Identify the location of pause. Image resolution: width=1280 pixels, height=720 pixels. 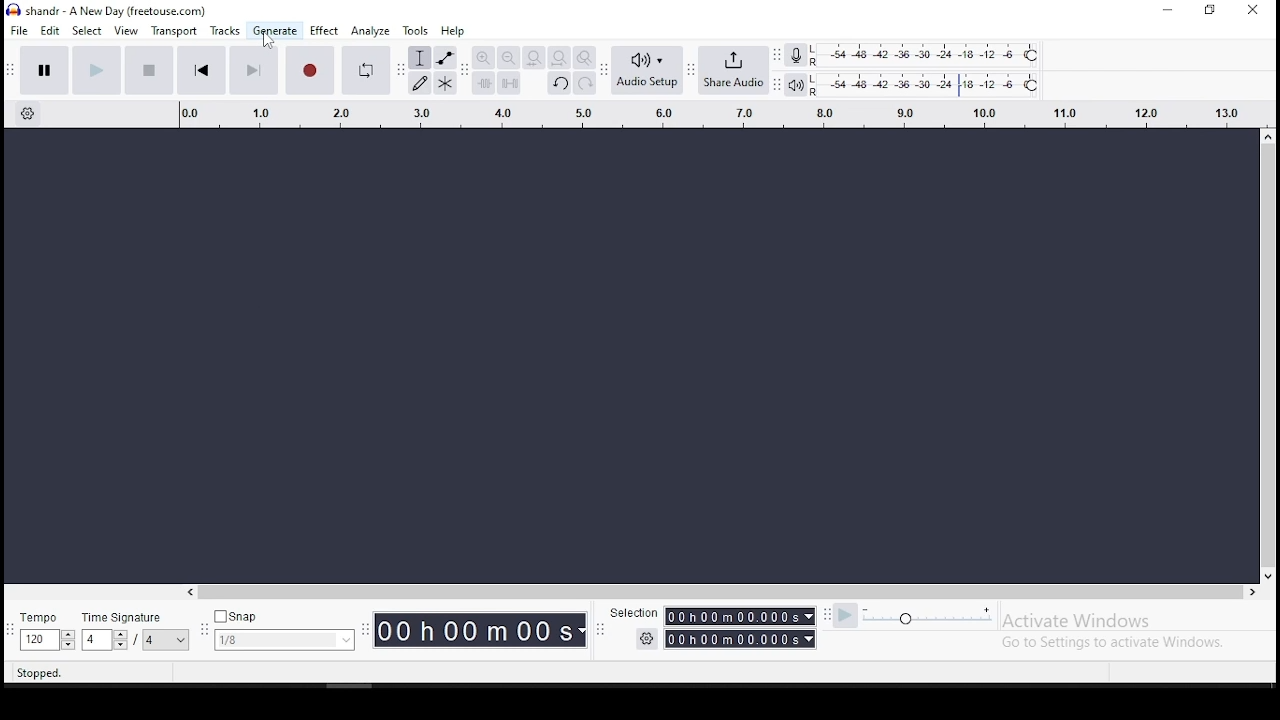
(44, 70).